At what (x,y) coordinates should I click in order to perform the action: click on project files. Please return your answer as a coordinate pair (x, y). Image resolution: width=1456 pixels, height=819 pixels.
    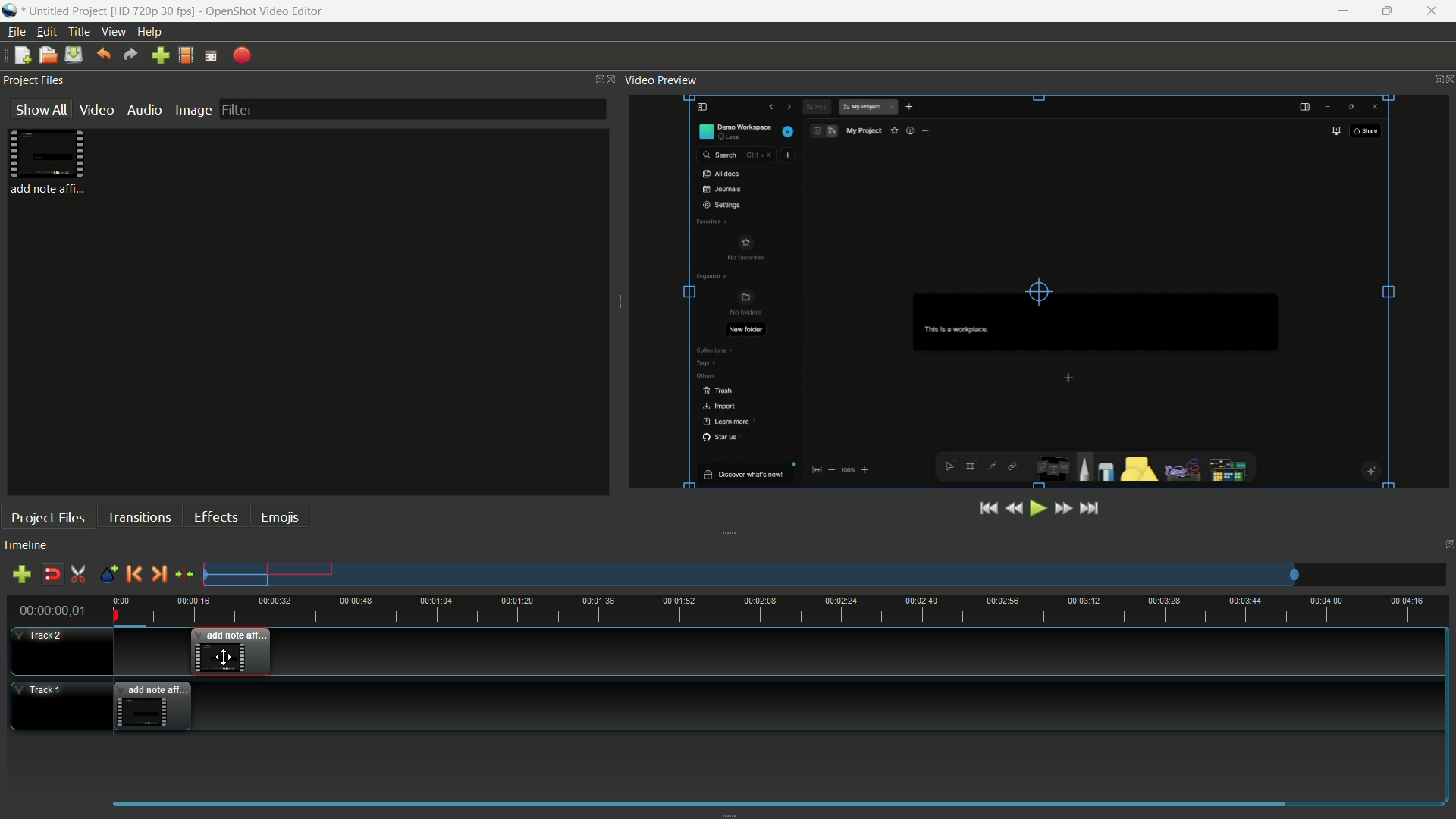
    Looking at the image, I should click on (49, 518).